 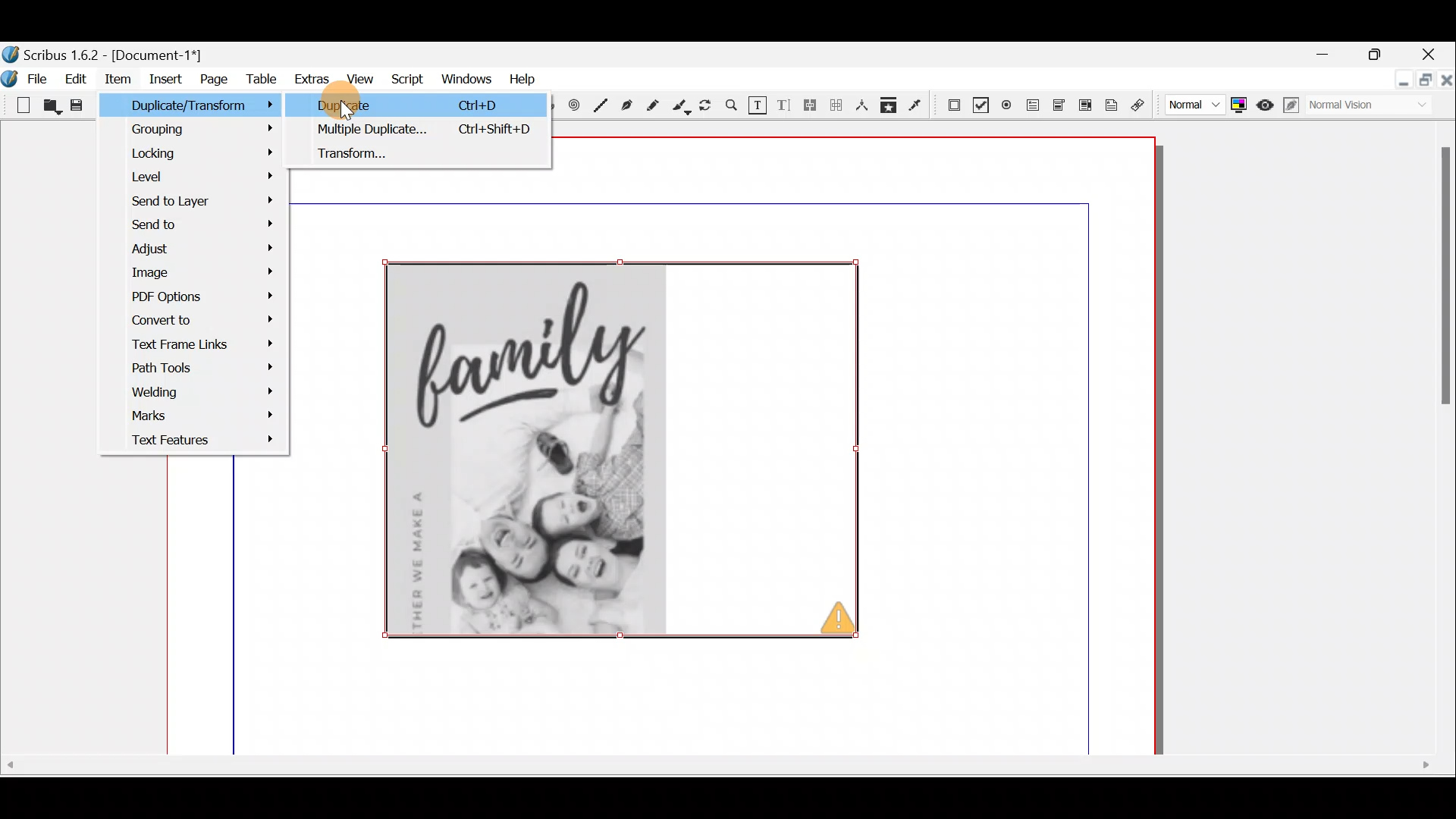 What do you see at coordinates (1434, 444) in the screenshot?
I see `Scroll bar` at bounding box center [1434, 444].